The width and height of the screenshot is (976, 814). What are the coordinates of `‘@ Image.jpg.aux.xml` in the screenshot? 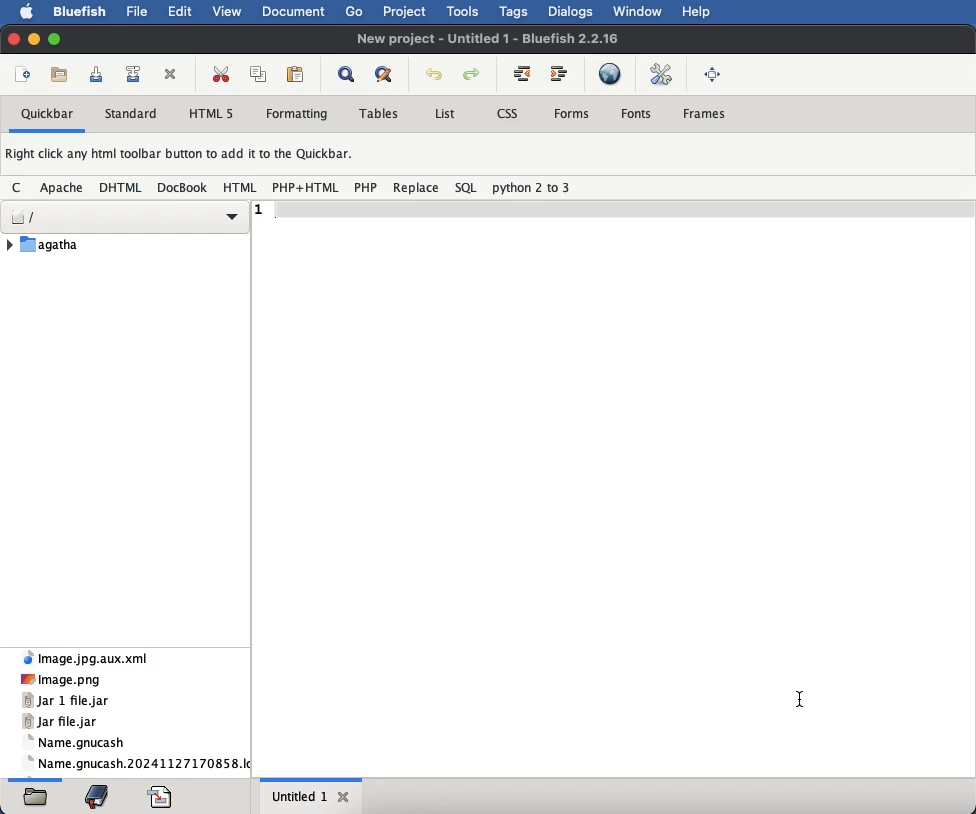 It's located at (88, 658).